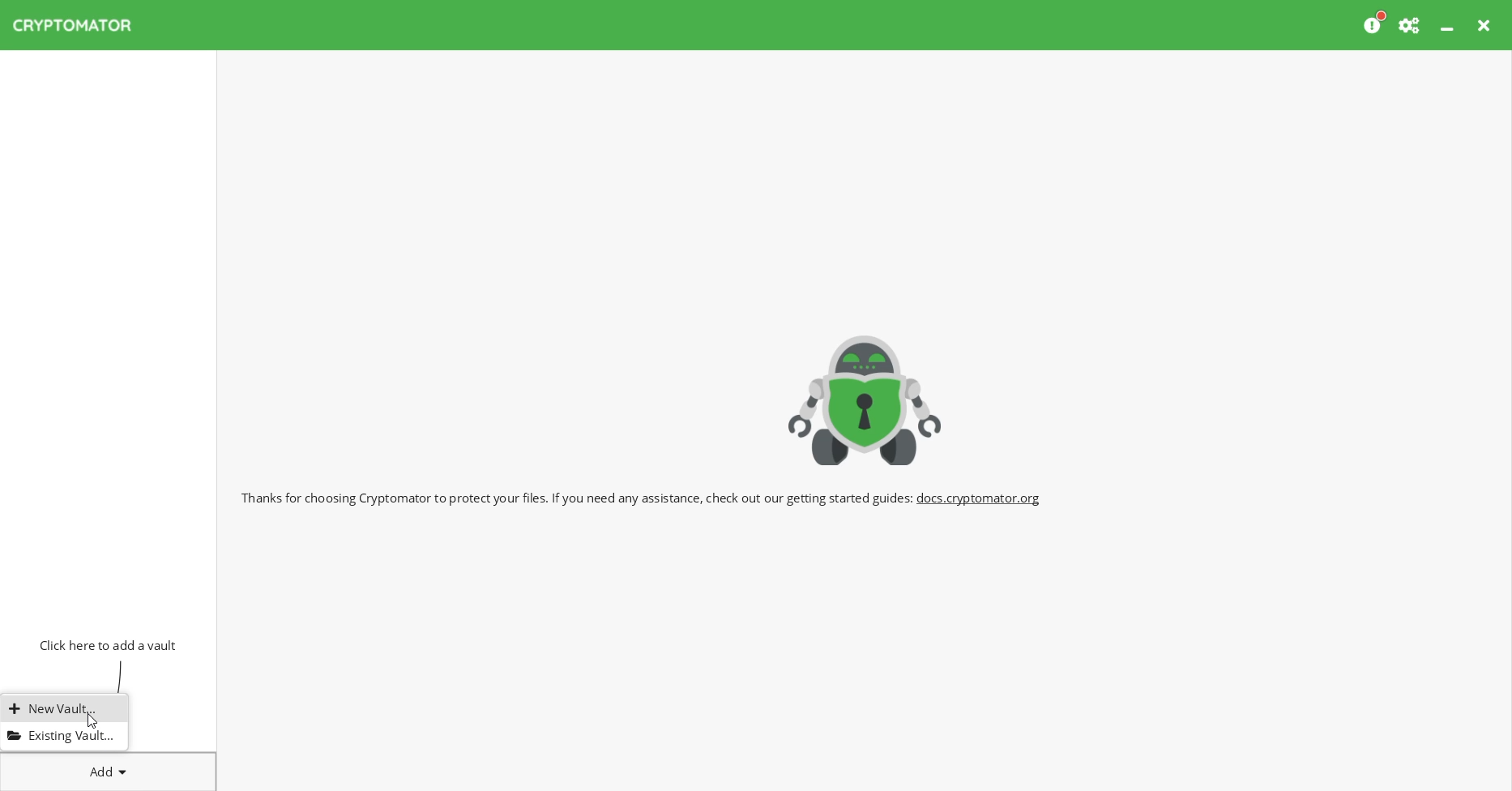 The image size is (1512, 791). What do you see at coordinates (1449, 25) in the screenshot?
I see `Minimize` at bounding box center [1449, 25].